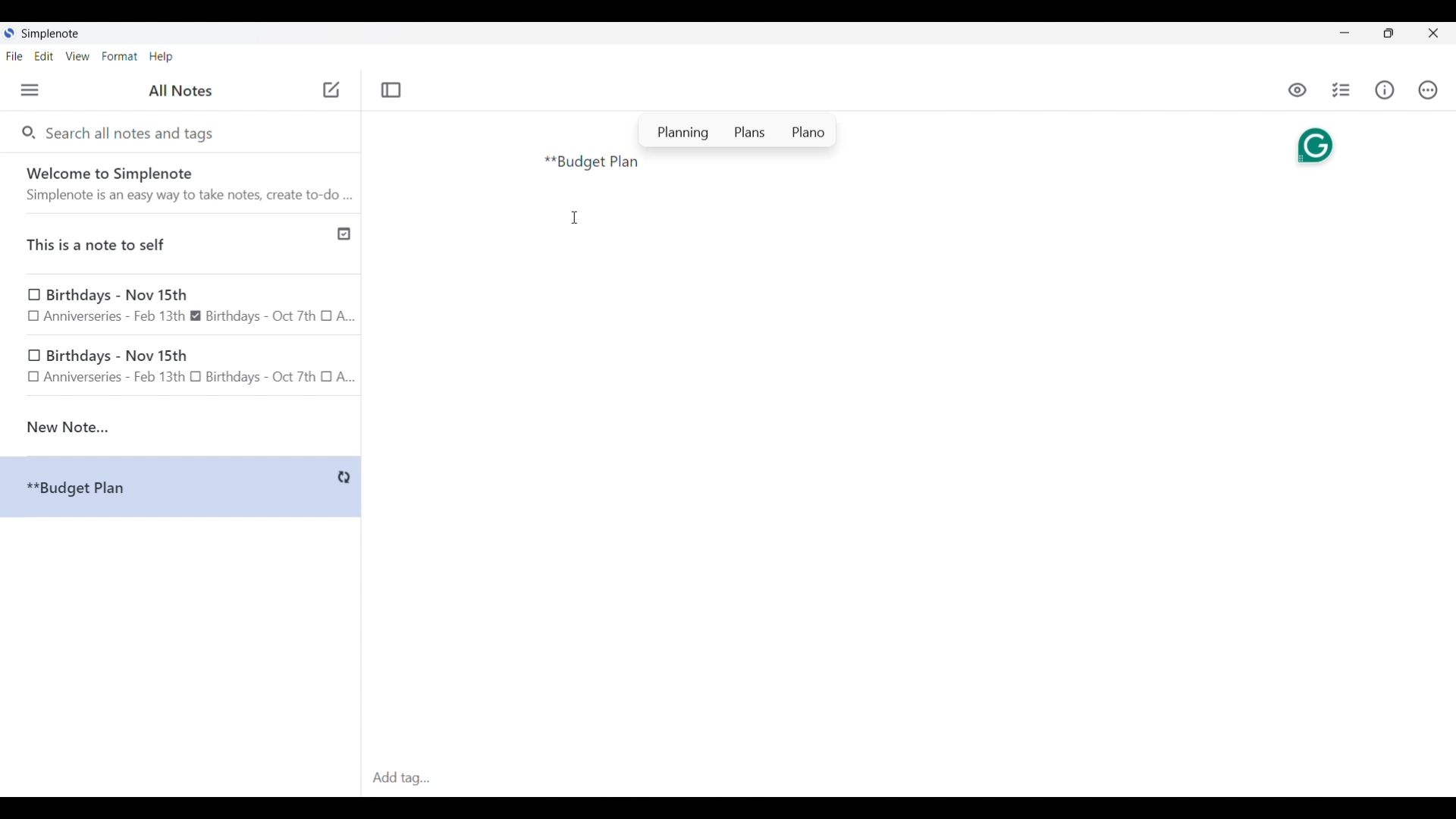 The height and width of the screenshot is (819, 1456). What do you see at coordinates (182, 244) in the screenshot?
I see `Published note indicated by check icon` at bounding box center [182, 244].